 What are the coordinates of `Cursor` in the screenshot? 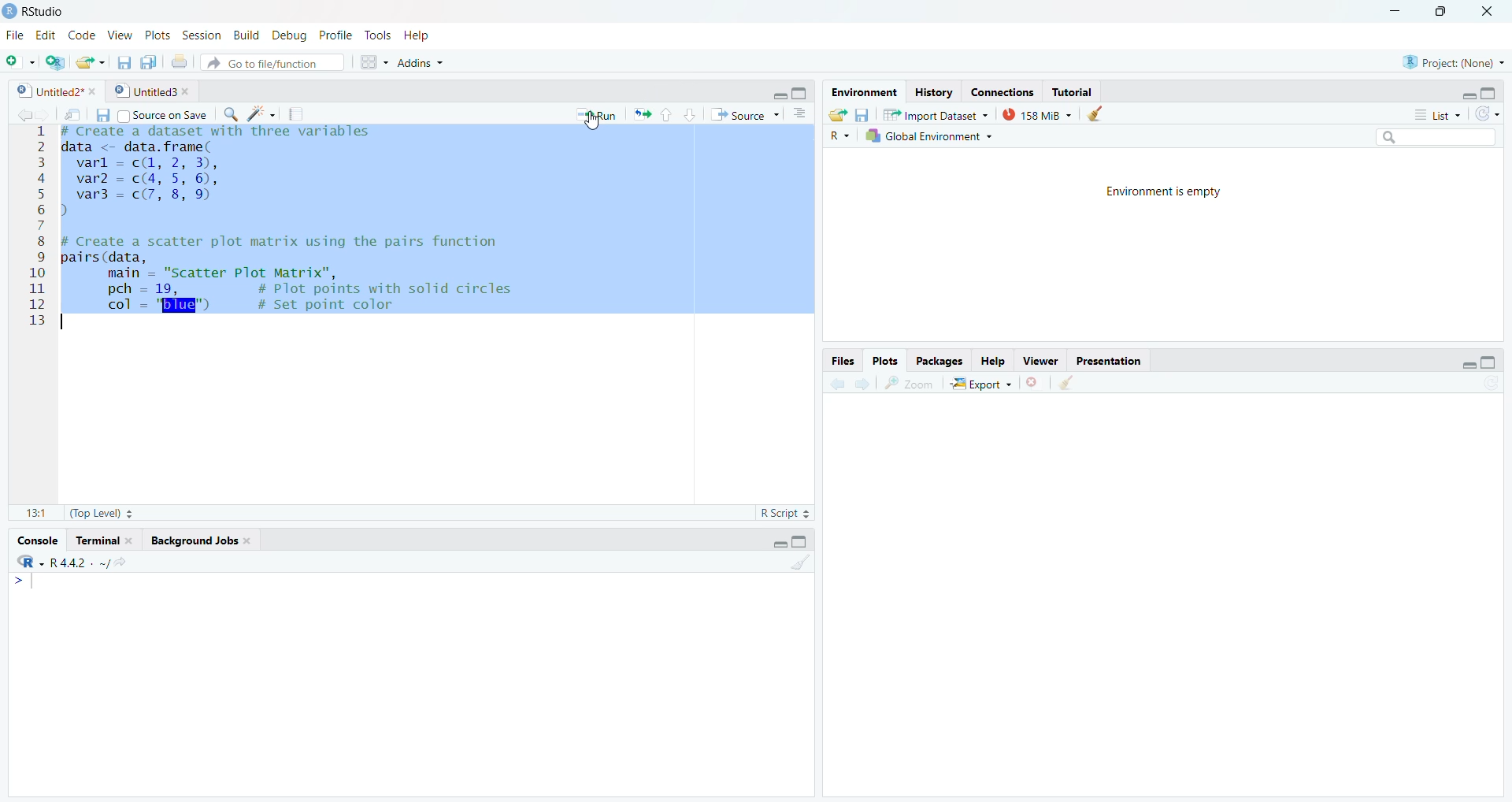 It's located at (591, 124).